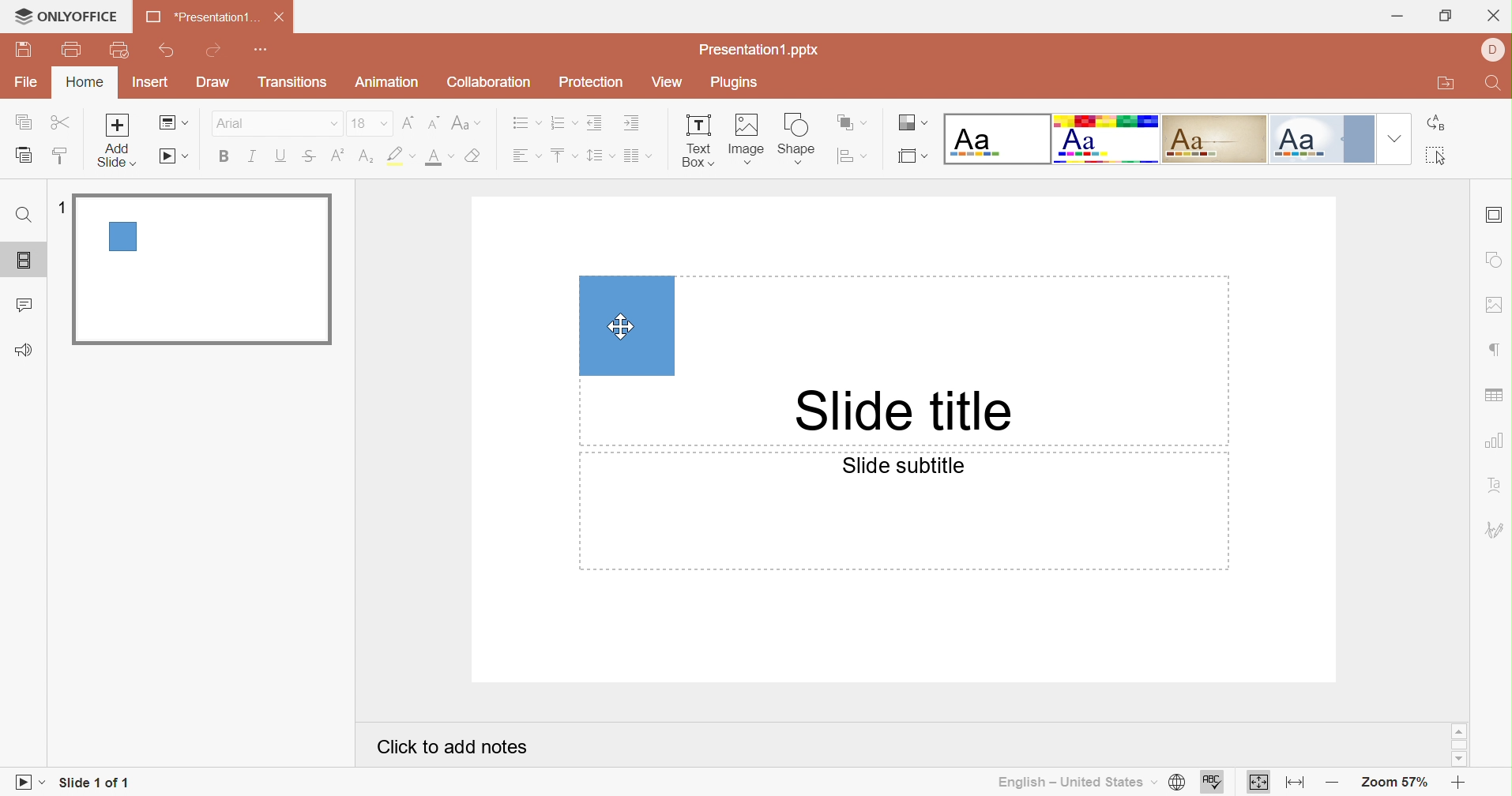  What do you see at coordinates (24, 155) in the screenshot?
I see `Paste` at bounding box center [24, 155].